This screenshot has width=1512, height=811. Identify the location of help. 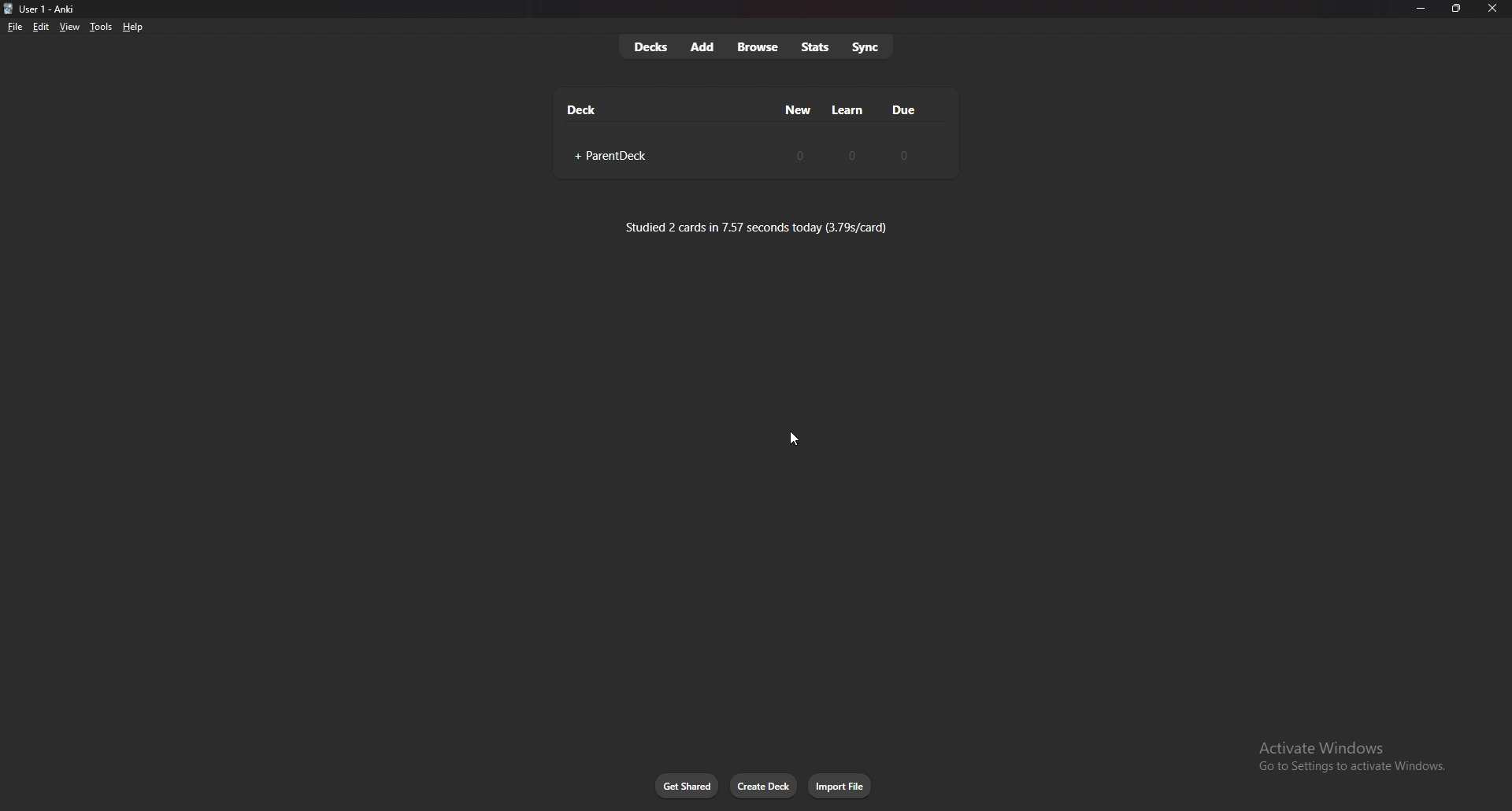
(132, 28).